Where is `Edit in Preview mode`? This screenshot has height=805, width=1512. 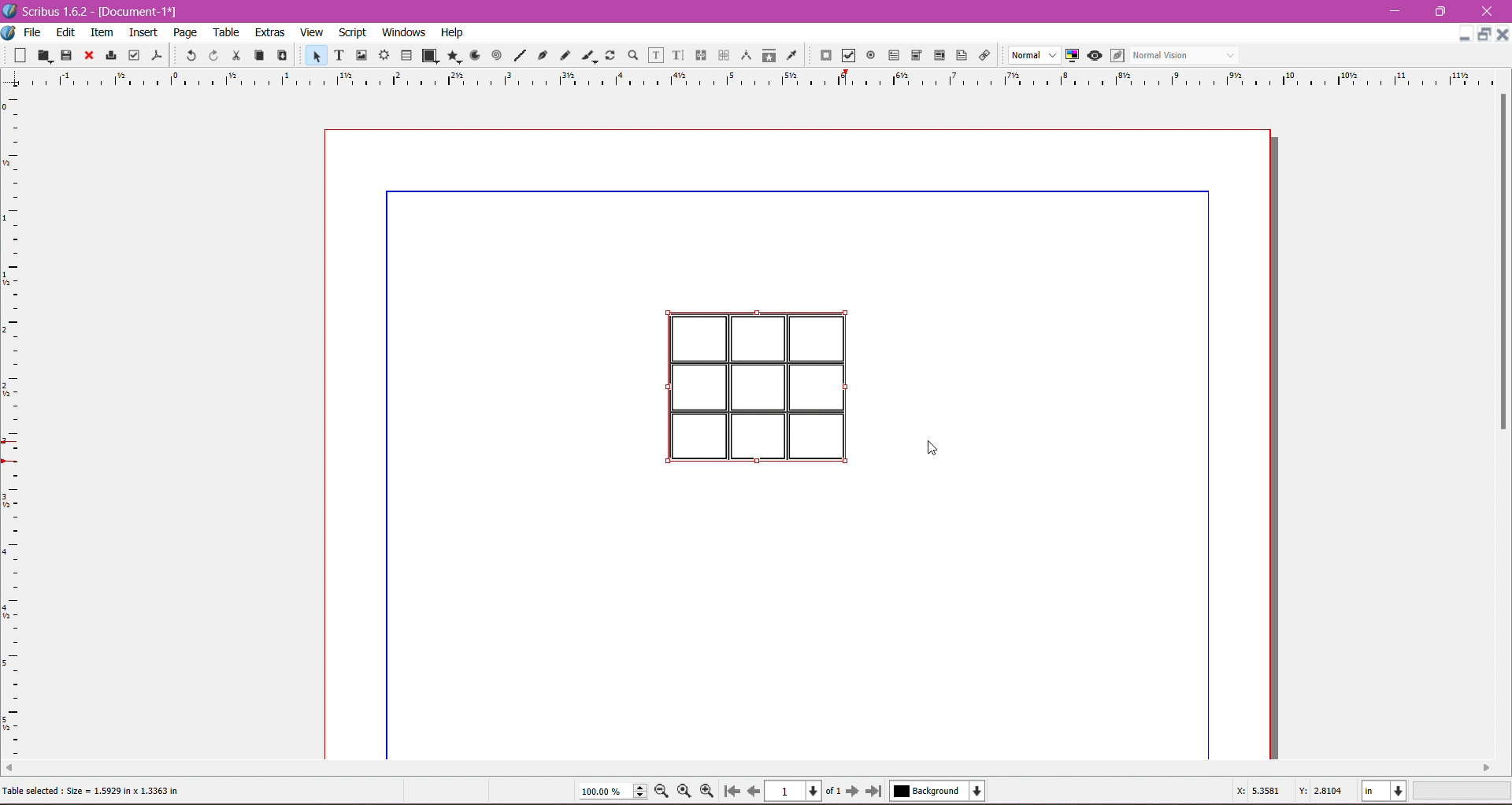
Edit in Preview mode is located at coordinates (1116, 55).